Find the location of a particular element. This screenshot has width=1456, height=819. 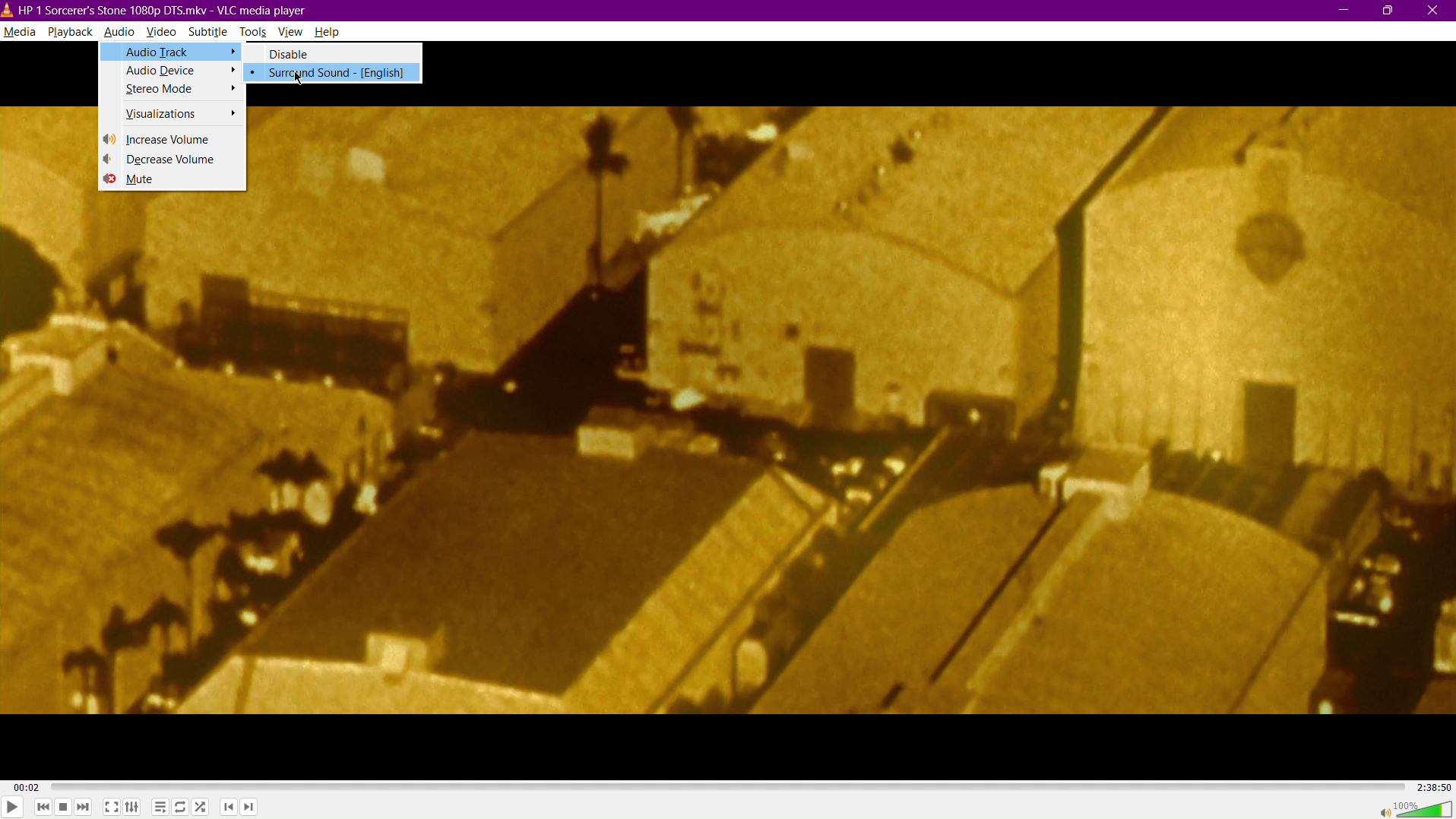

Close is located at coordinates (1436, 10).